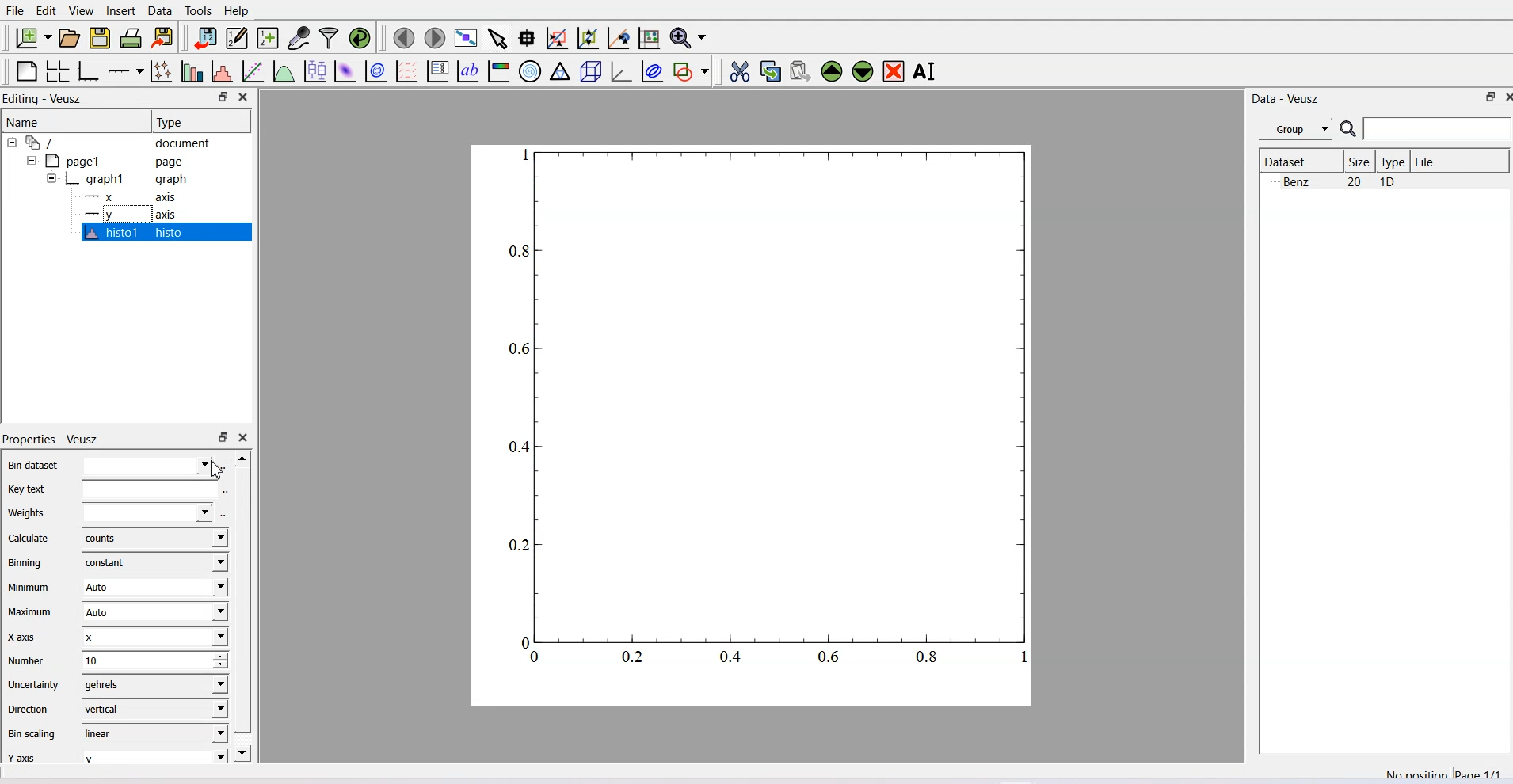 The height and width of the screenshot is (784, 1513). I want to click on Print Document, so click(131, 38).